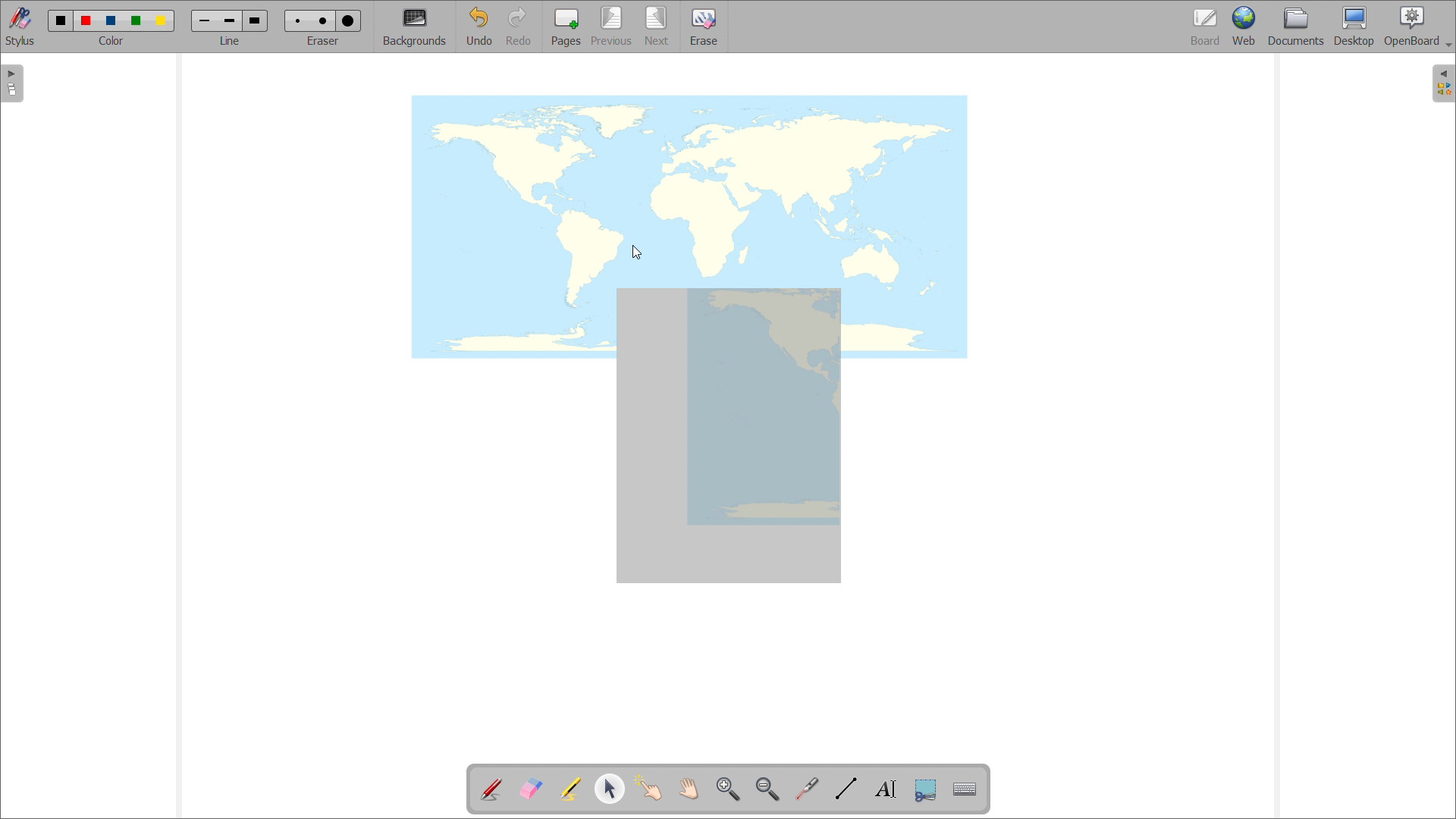  What do you see at coordinates (325, 20) in the screenshot?
I see `medium` at bounding box center [325, 20].